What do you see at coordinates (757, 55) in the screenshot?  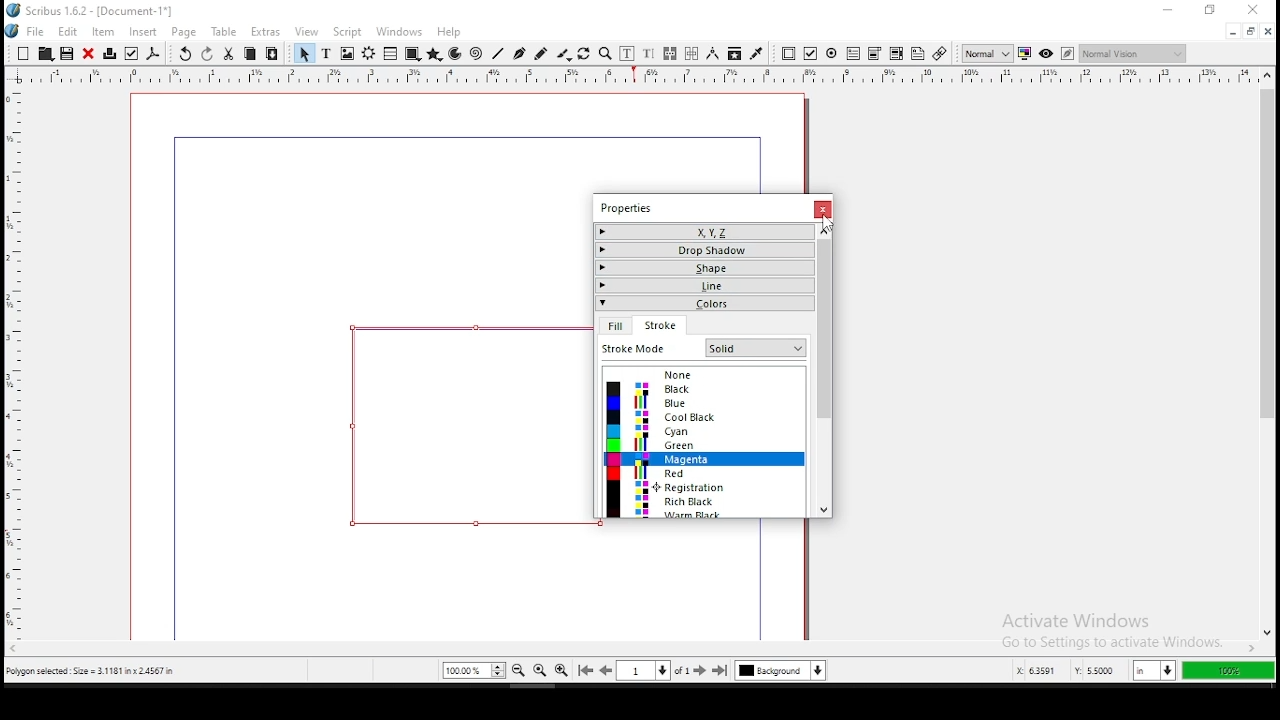 I see `eyedropper` at bounding box center [757, 55].